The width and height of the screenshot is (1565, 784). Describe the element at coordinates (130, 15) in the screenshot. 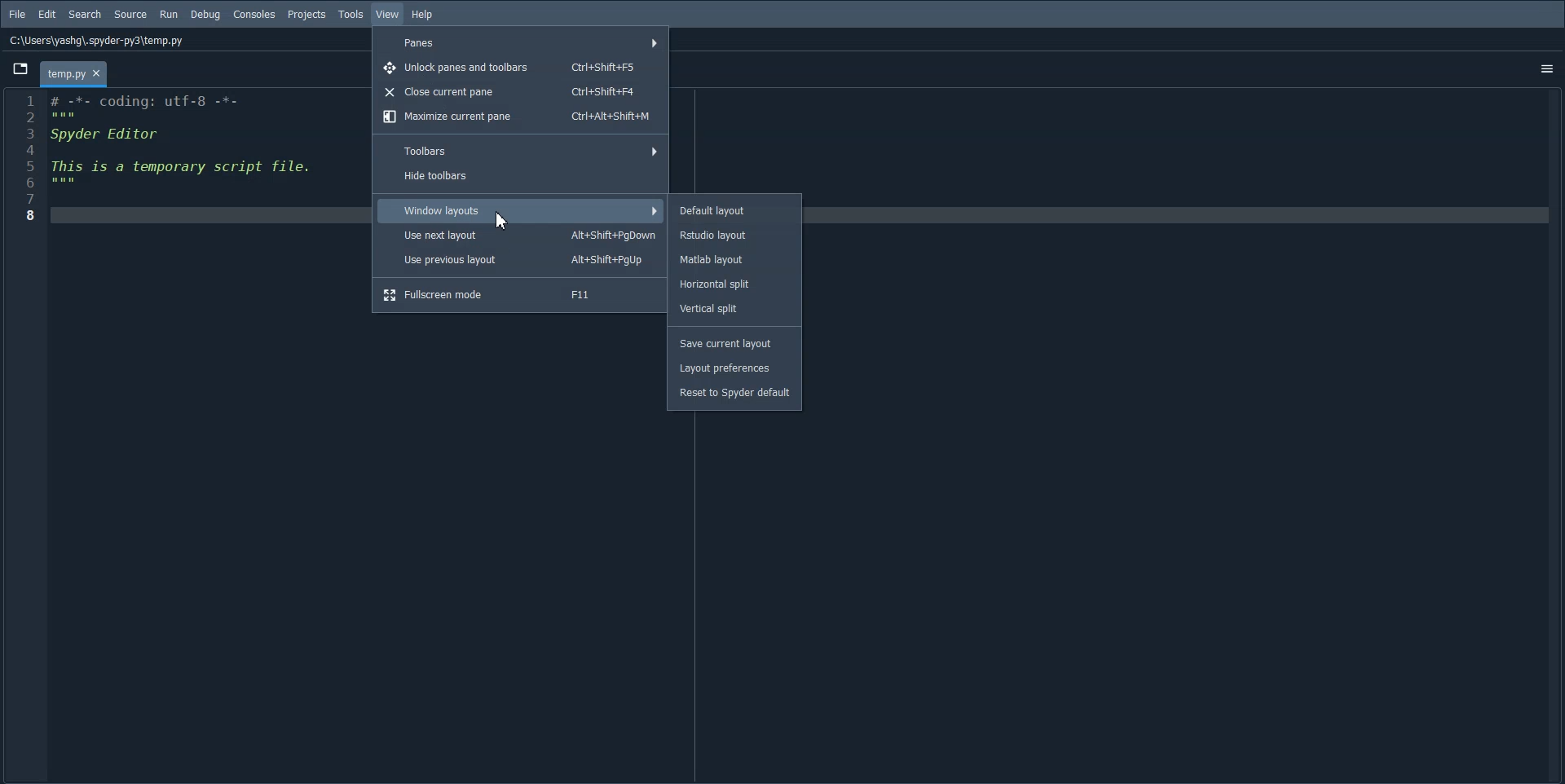

I see `Source` at that location.